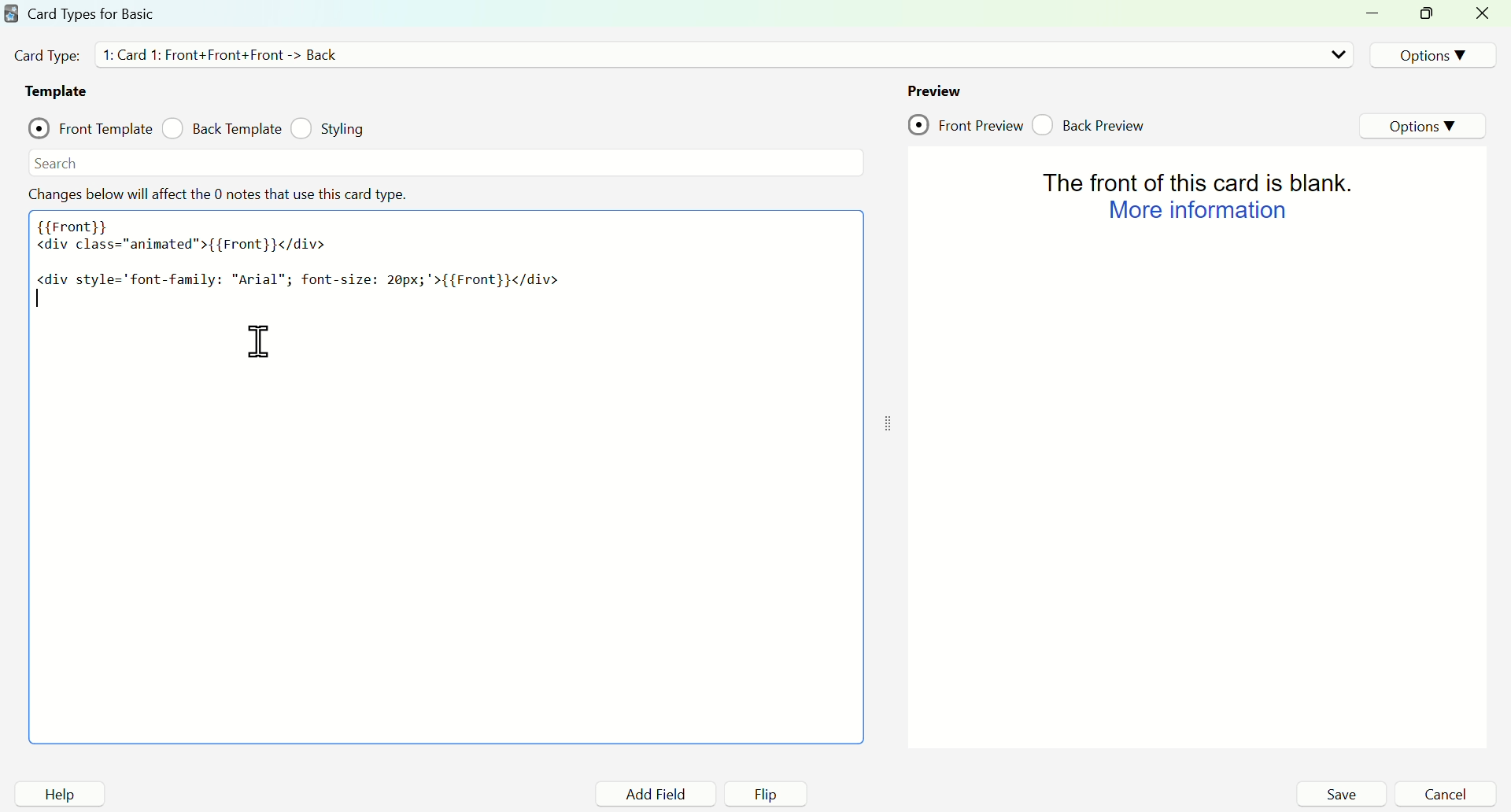  What do you see at coordinates (1377, 14) in the screenshot?
I see `Minimize` at bounding box center [1377, 14].